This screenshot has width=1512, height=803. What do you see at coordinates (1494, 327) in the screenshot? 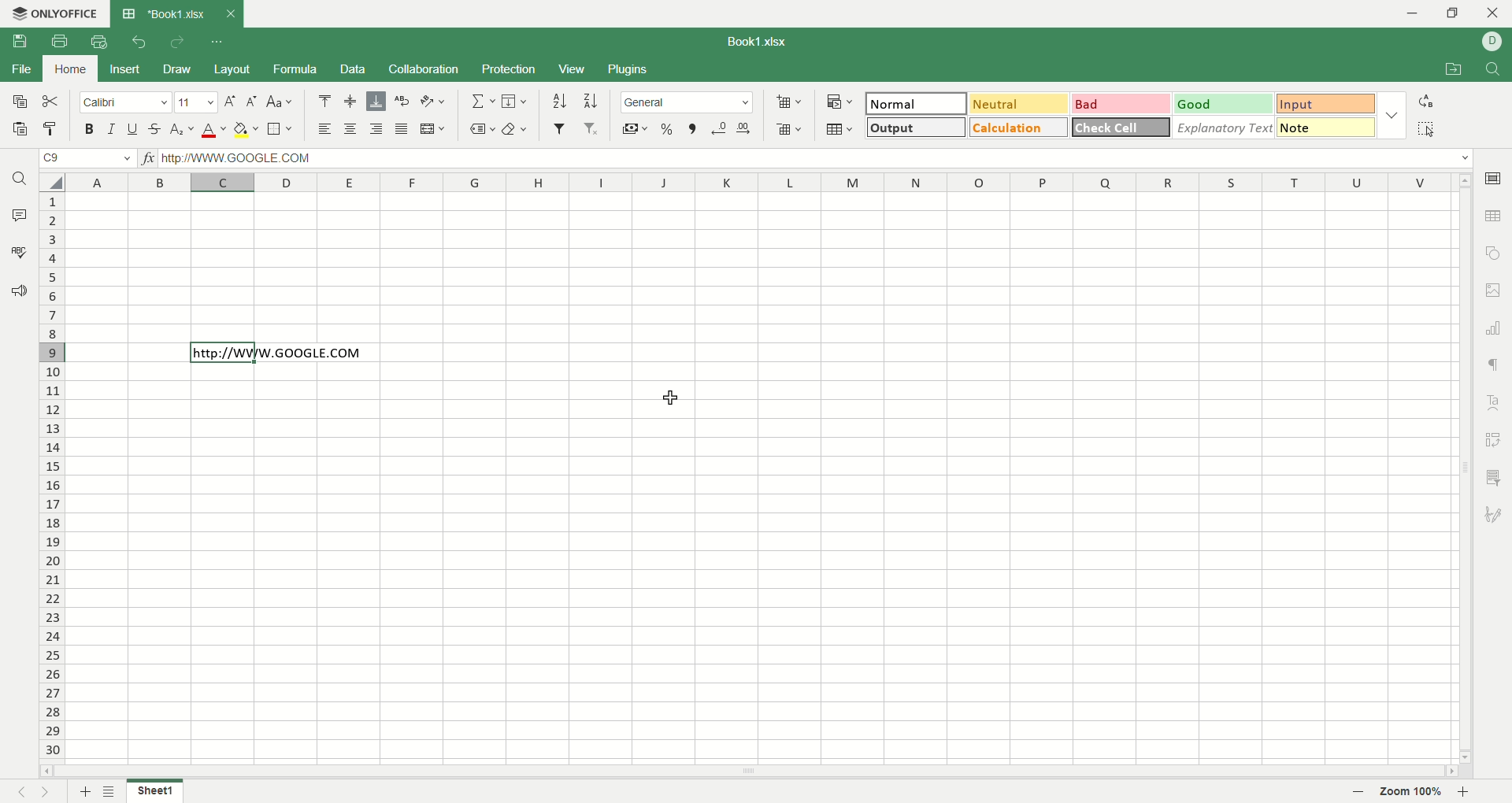
I see `chart settings` at bounding box center [1494, 327].